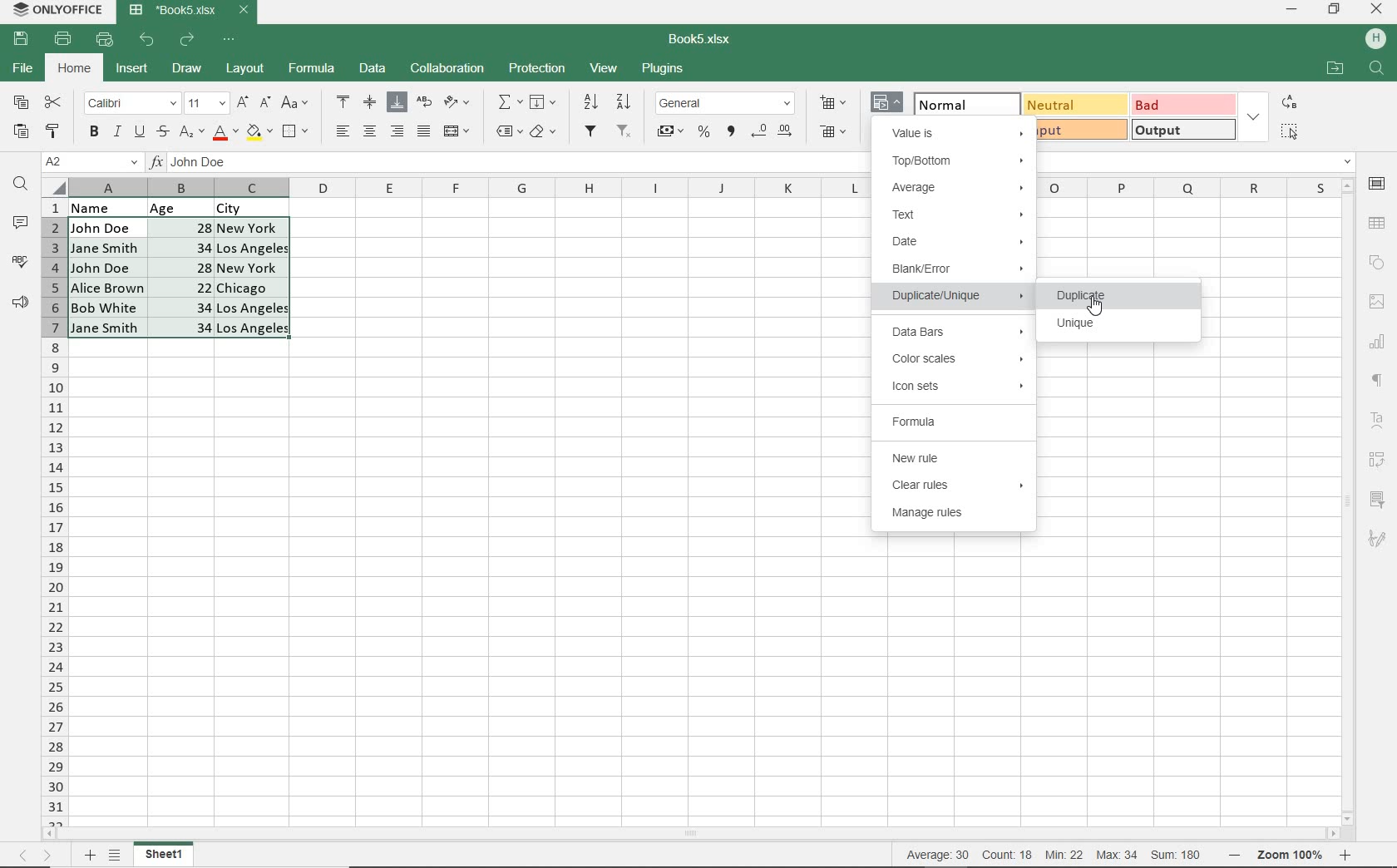 This screenshot has height=868, width=1397. What do you see at coordinates (118, 856) in the screenshot?
I see `LIST SHEETS` at bounding box center [118, 856].